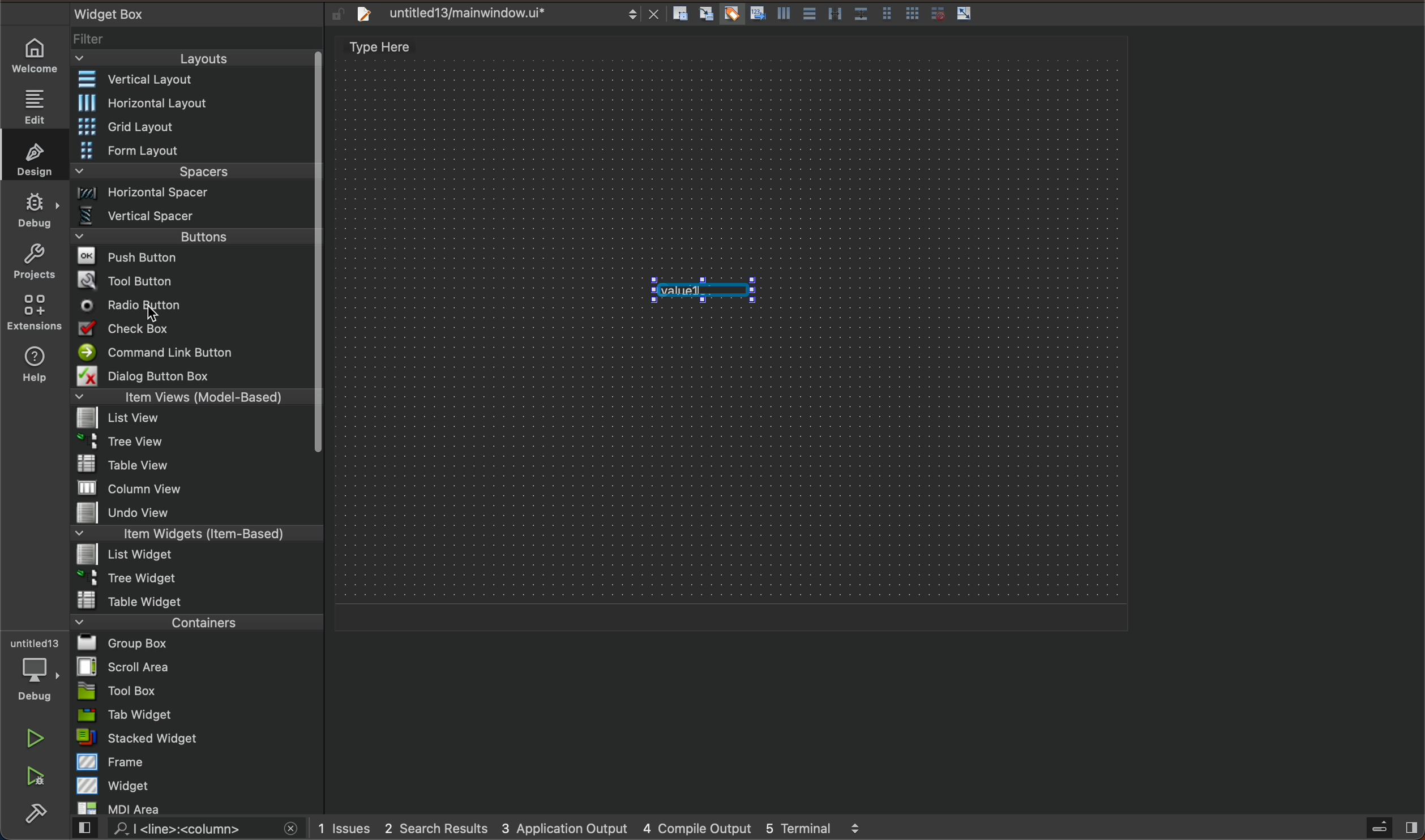  What do you see at coordinates (199, 785) in the screenshot?
I see `widget` at bounding box center [199, 785].